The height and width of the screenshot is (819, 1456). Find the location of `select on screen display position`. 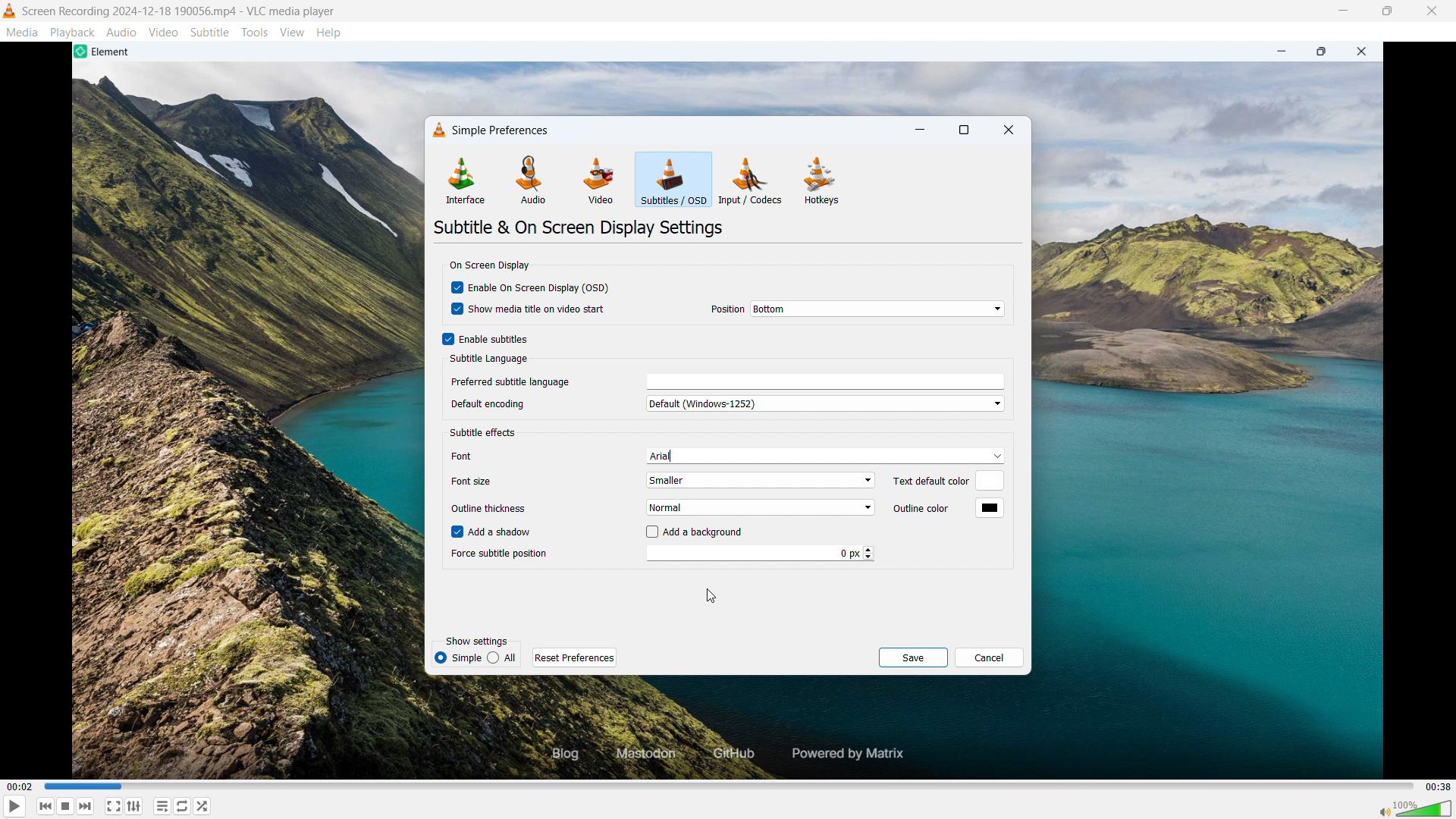

select on screen display position is located at coordinates (877, 309).